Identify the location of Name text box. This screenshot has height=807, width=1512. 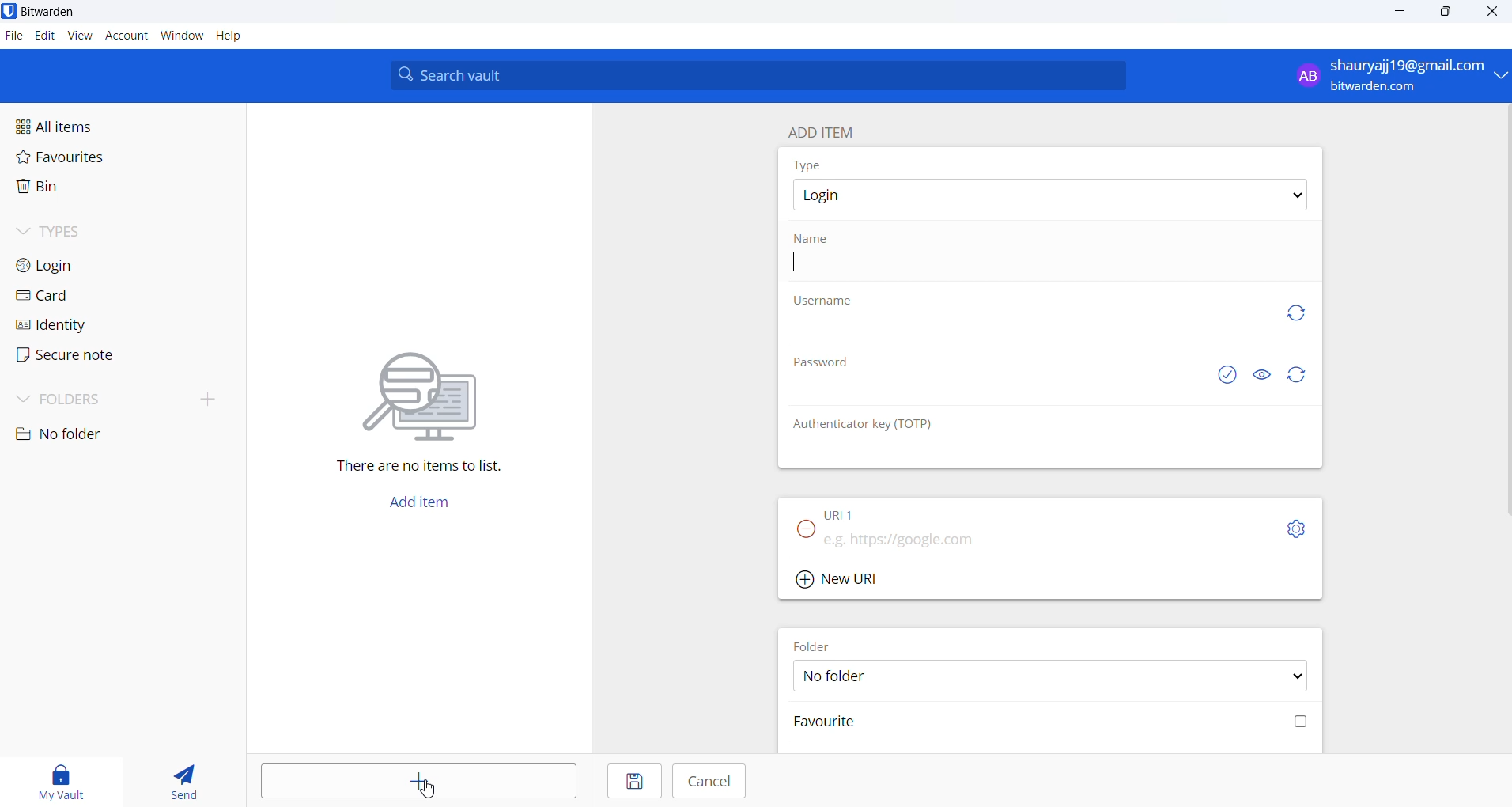
(1044, 265).